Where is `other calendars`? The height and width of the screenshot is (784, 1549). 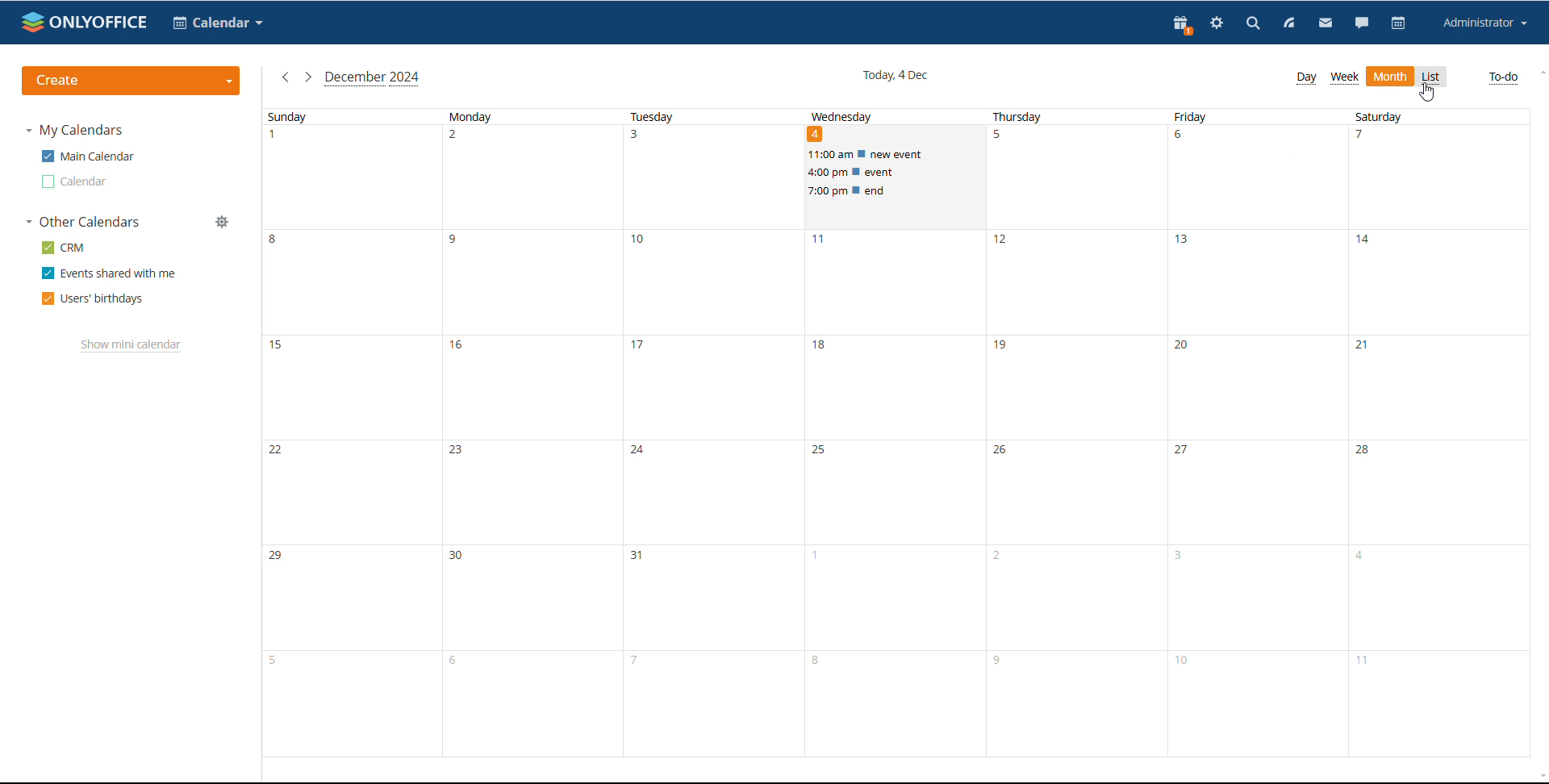 other calendars is located at coordinates (83, 222).